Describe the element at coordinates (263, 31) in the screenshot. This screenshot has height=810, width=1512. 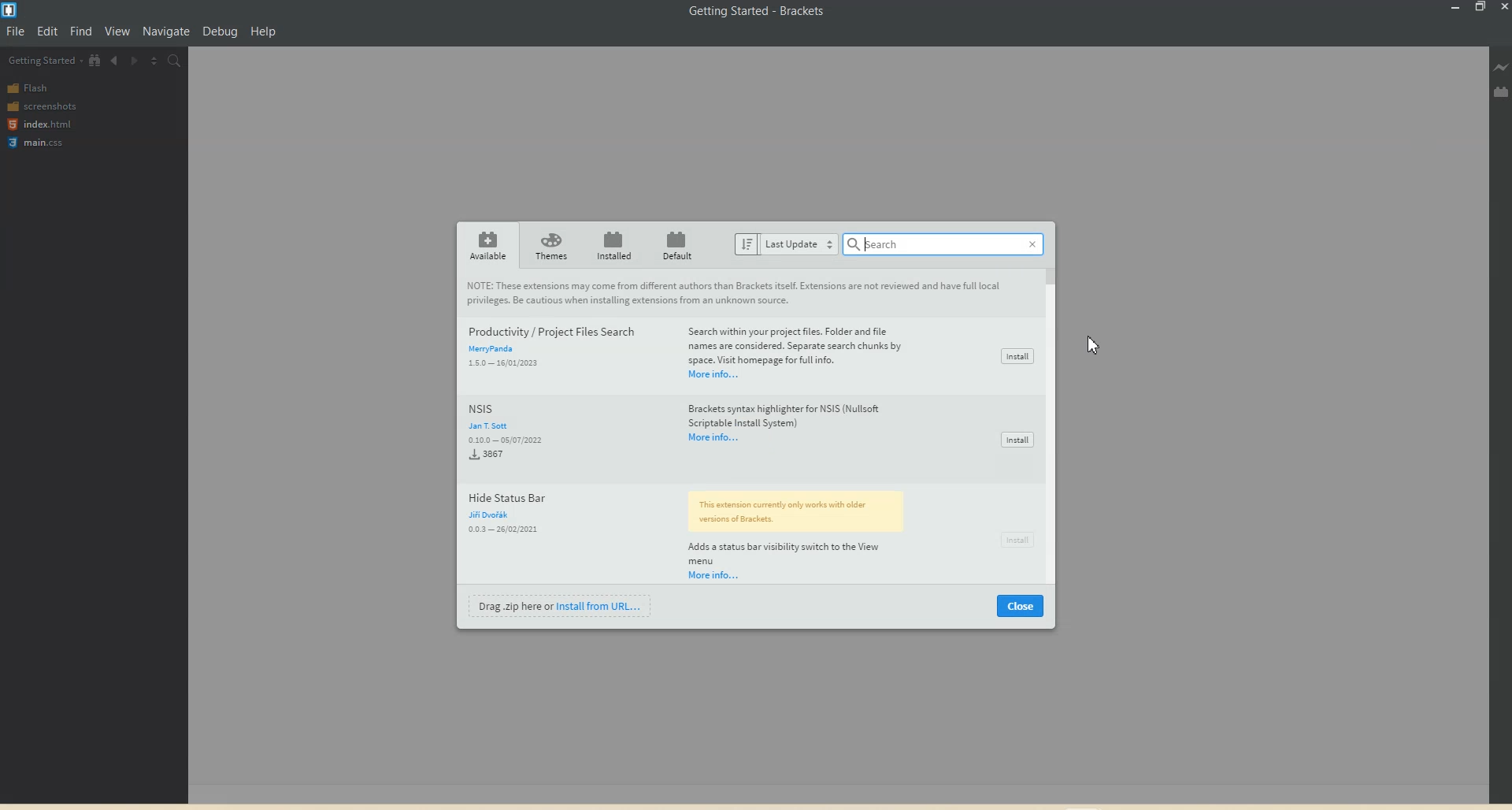
I see `Help` at that location.